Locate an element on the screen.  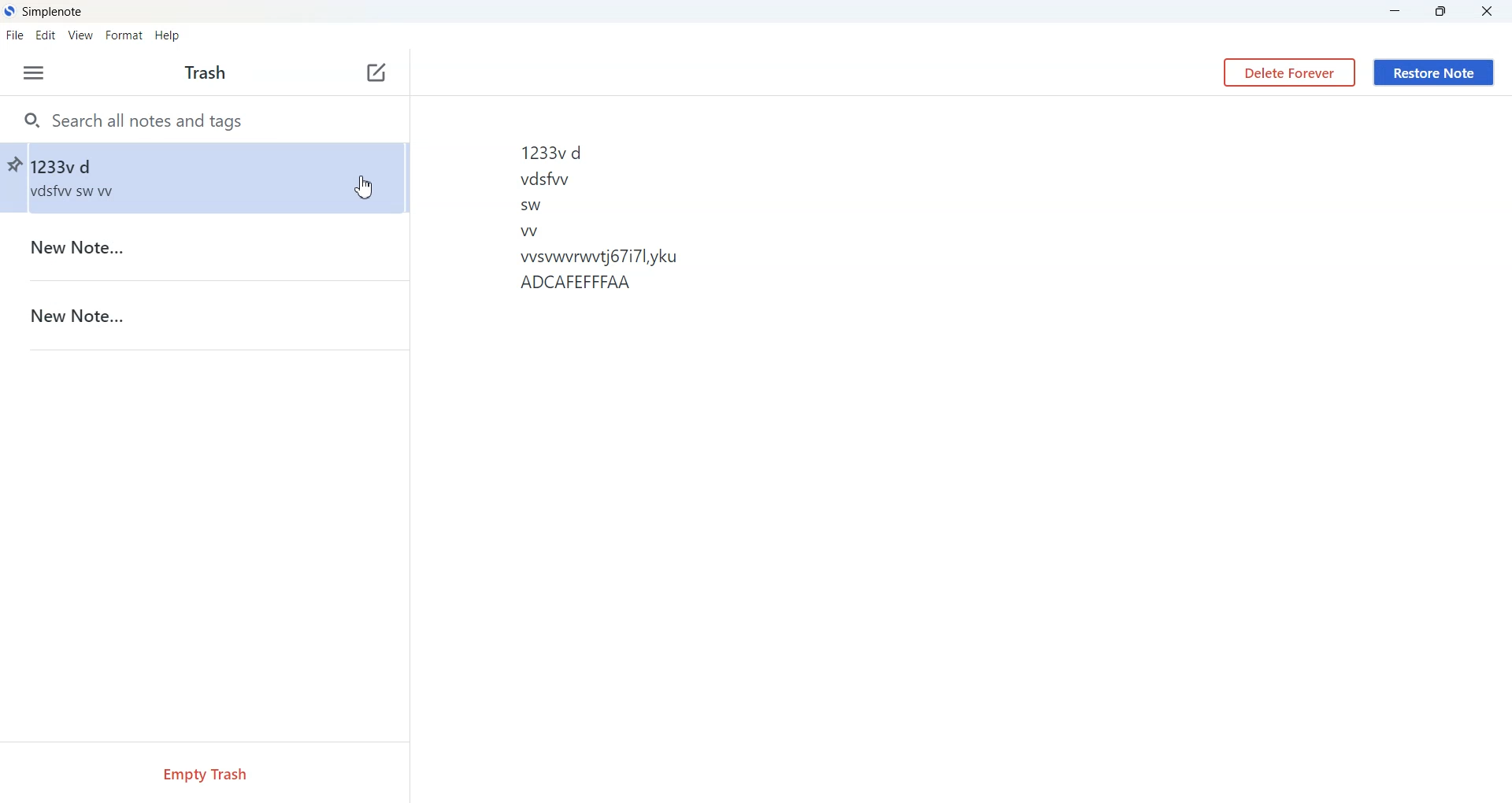
Edit  is located at coordinates (46, 34).